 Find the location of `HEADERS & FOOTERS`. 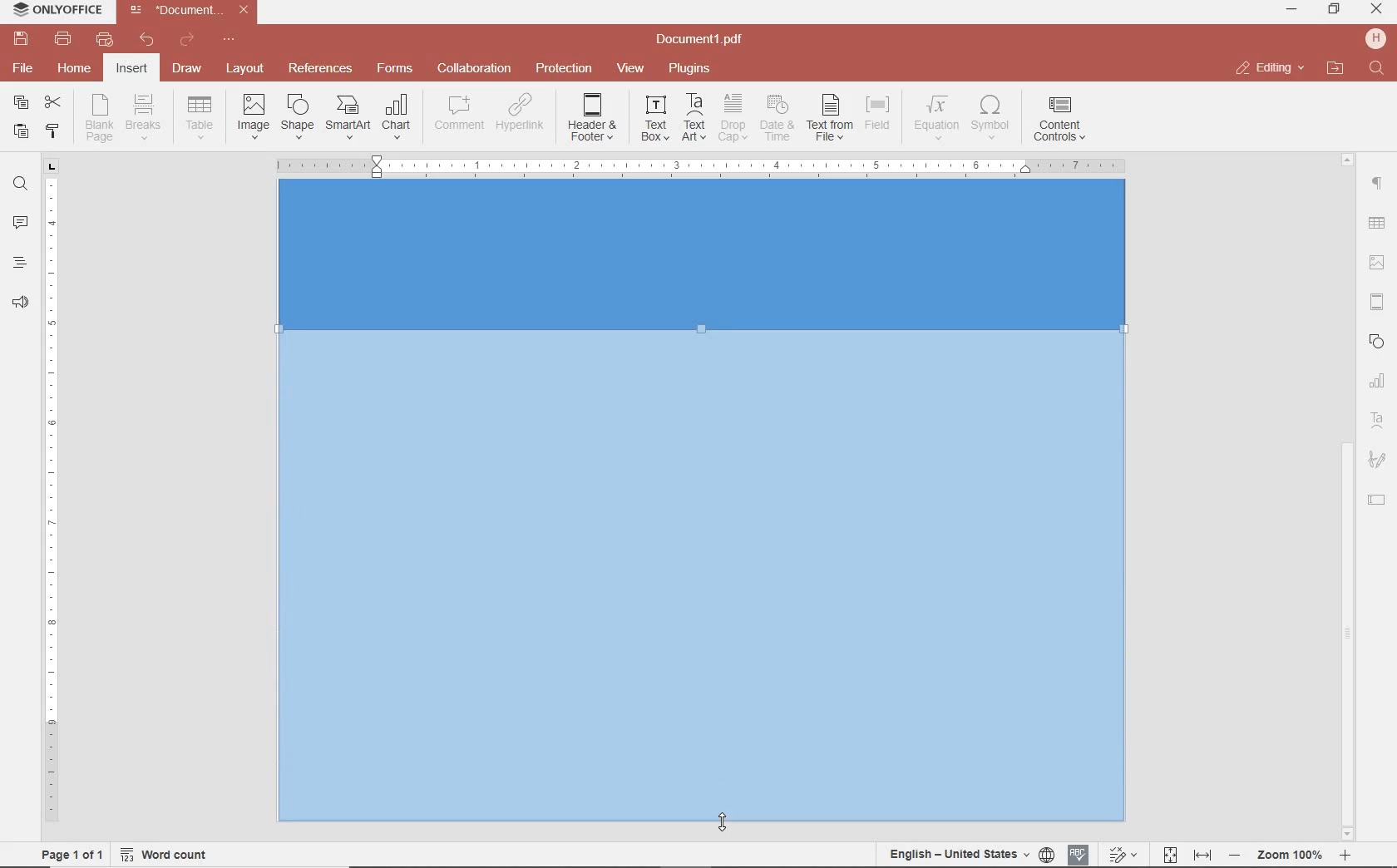

HEADERS & FOOTERS is located at coordinates (1378, 303).